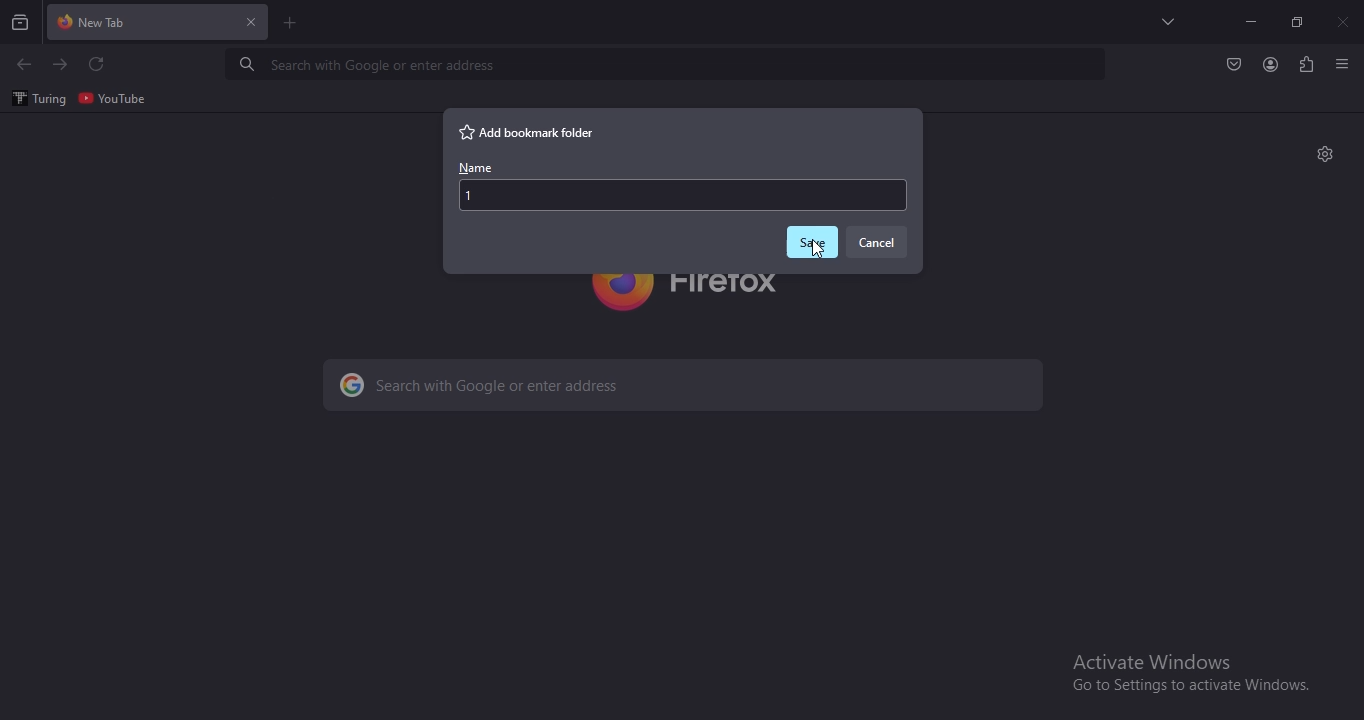 This screenshot has height=720, width=1364. Describe the element at coordinates (1325, 152) in the screenshot. I see `settings` at that location.